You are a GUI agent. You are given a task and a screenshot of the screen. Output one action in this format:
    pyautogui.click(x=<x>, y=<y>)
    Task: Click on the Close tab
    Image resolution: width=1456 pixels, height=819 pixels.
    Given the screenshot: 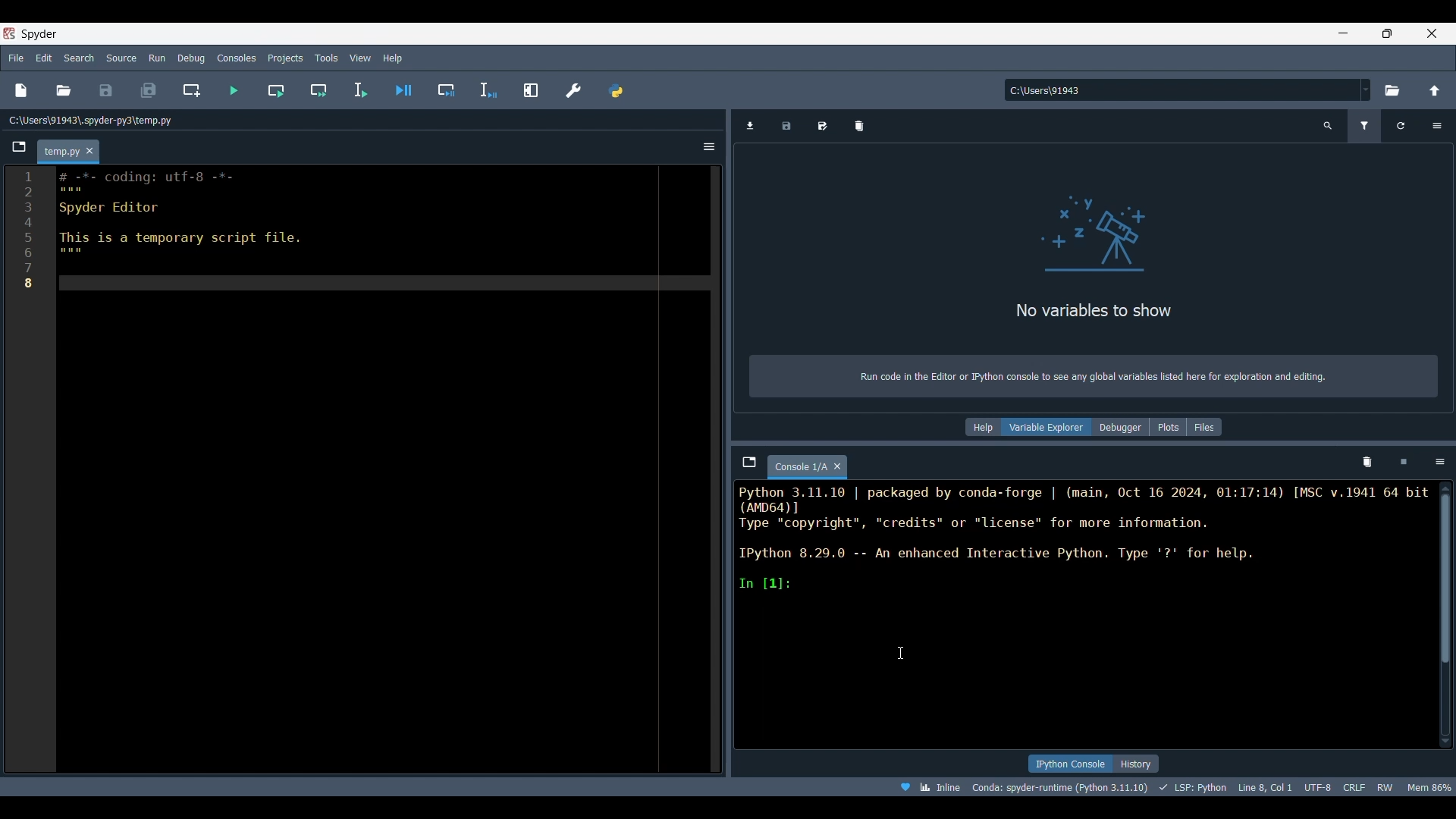 What is the action you would take?
    pyautogui.click(x=89, y=152)
    